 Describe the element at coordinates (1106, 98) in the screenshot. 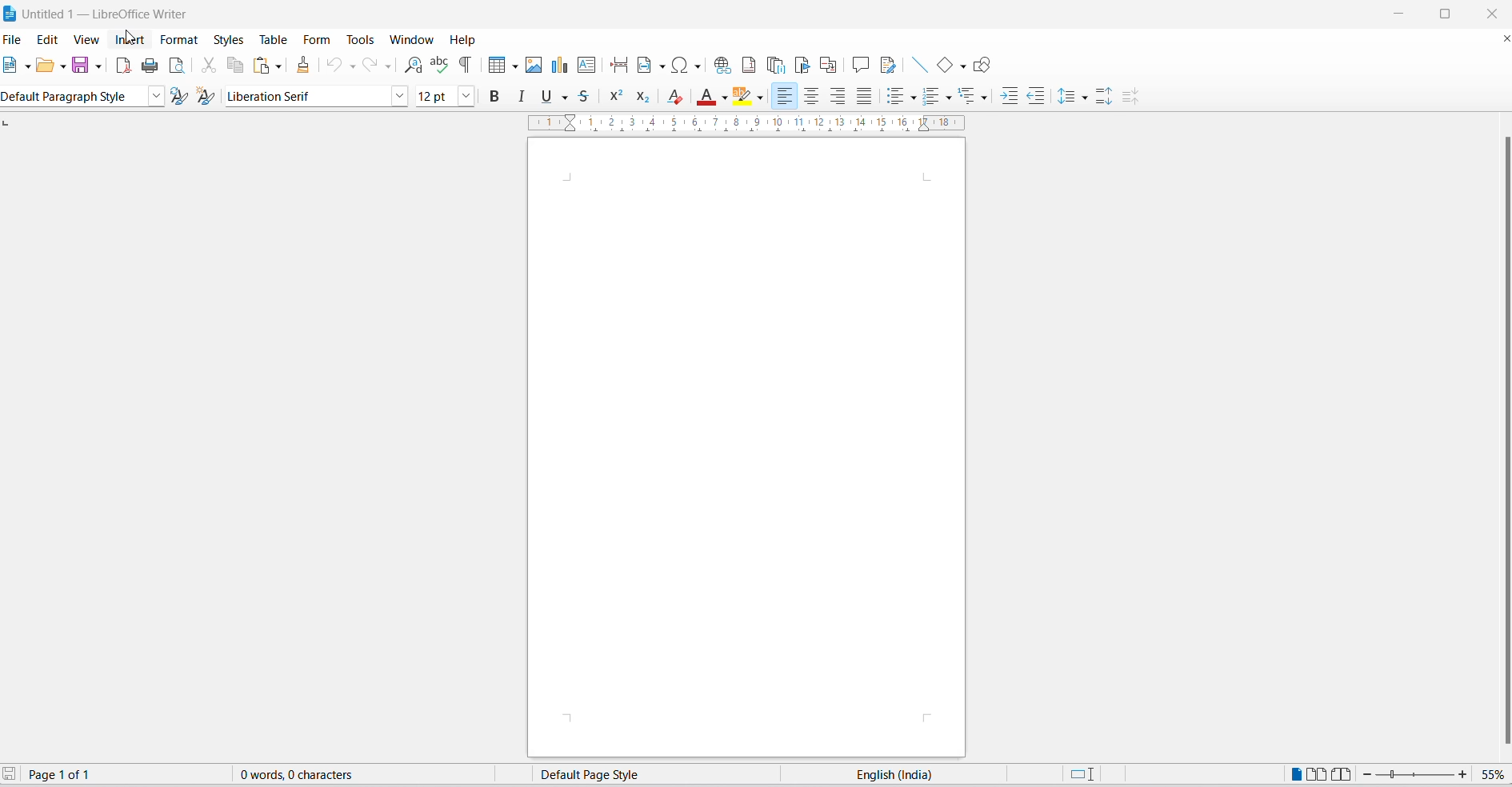

I see `increase paragraph spacing` at that location.